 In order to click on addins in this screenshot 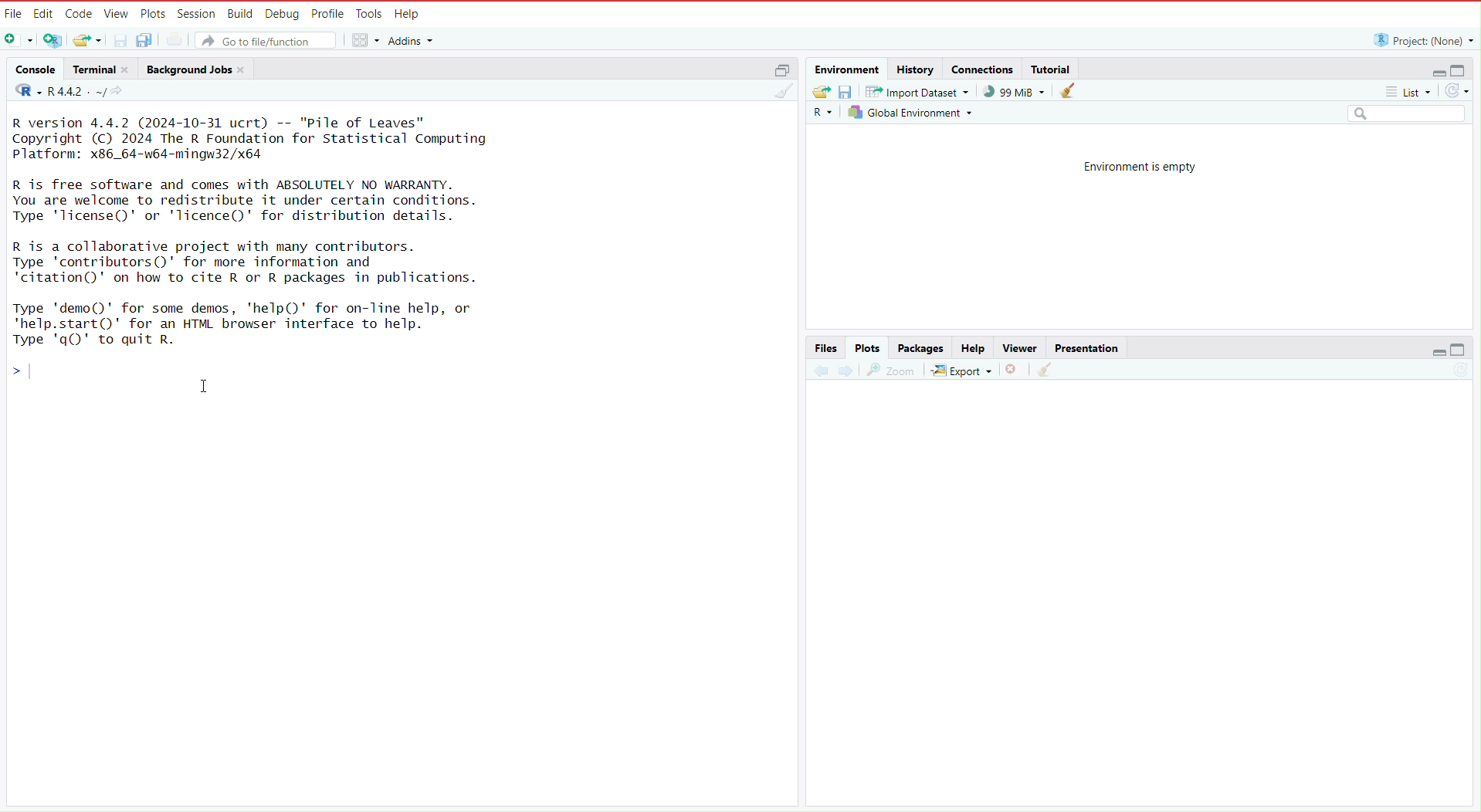, I will do `click(414, 40)`.